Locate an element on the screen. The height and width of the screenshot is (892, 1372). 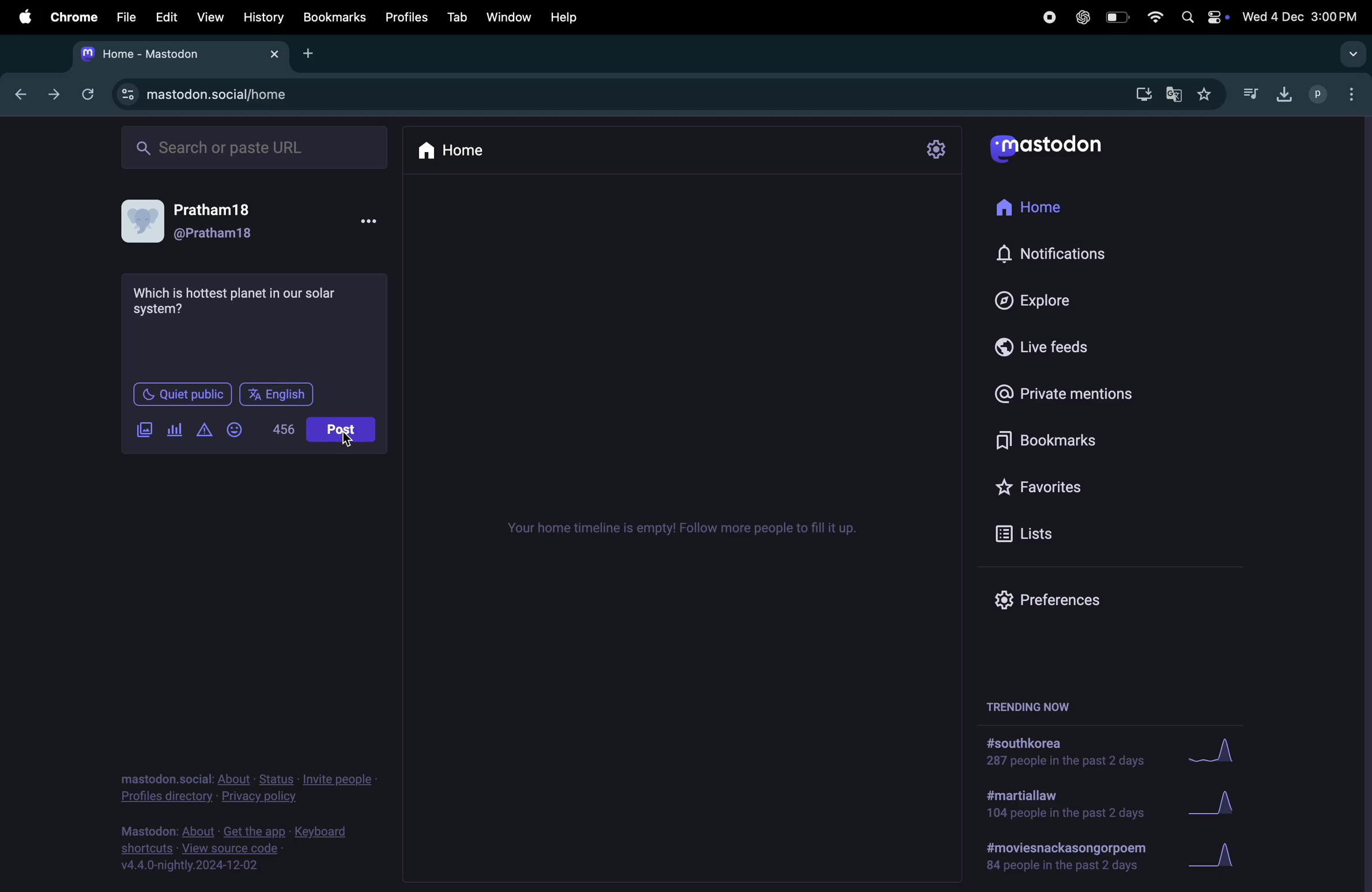
Explore is located at coordinates (1046, 300).